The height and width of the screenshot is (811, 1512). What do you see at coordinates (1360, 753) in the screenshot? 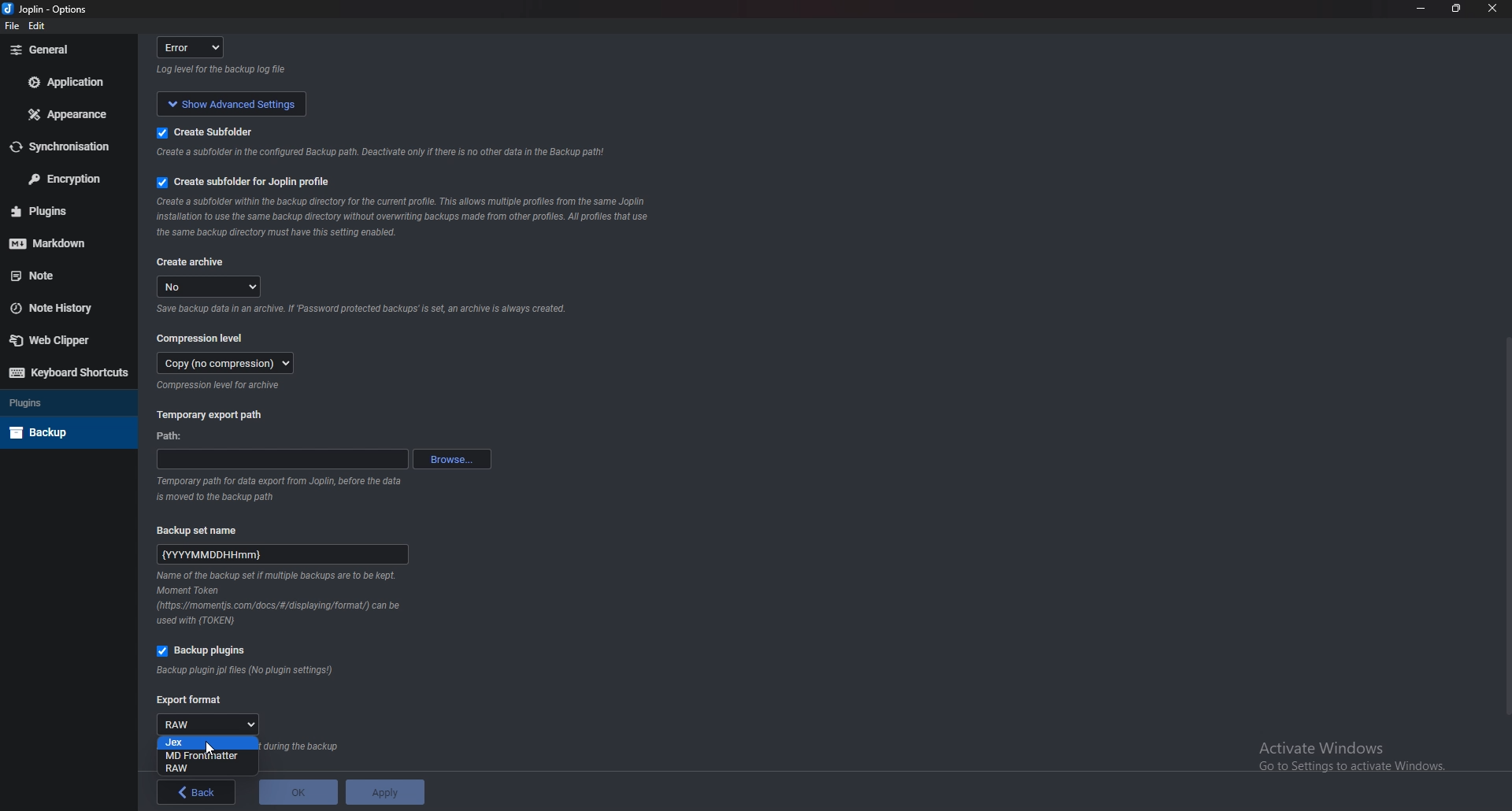
I see `activate windows` at bounding box center [1360, 753].